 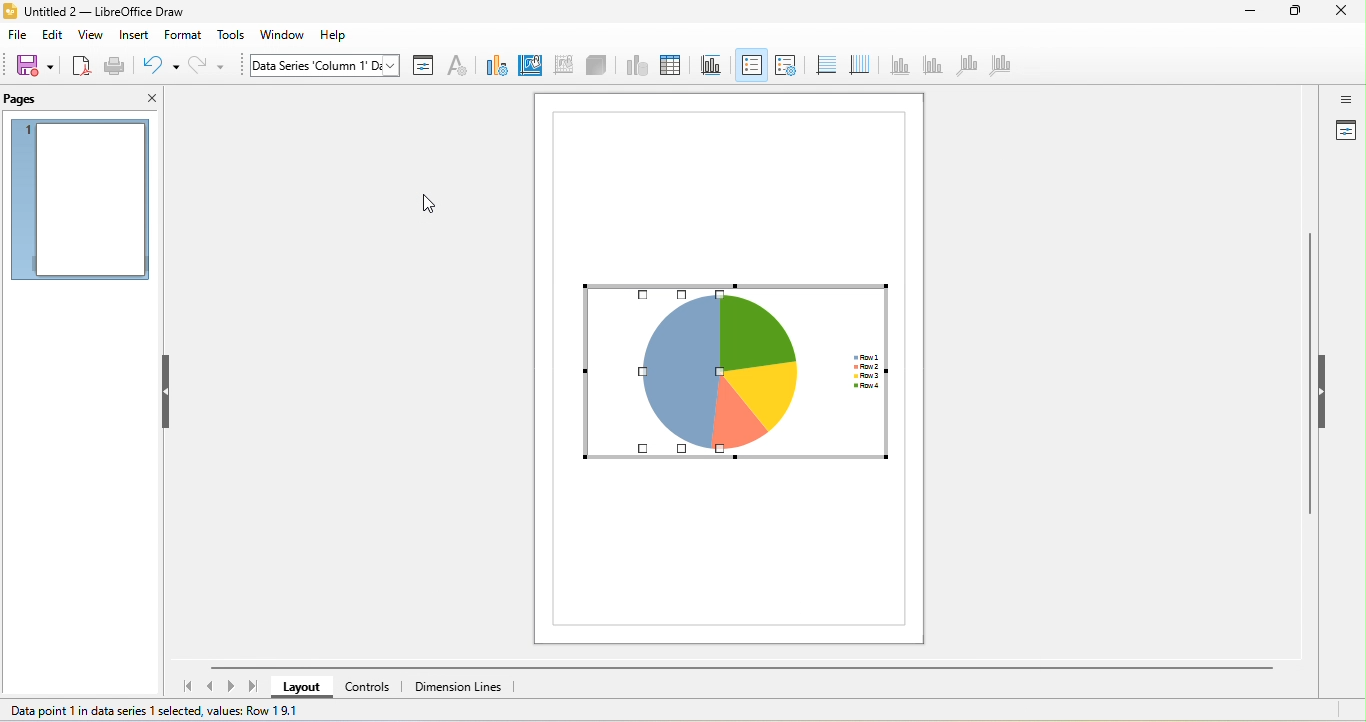 I want to click on previous, so click(x=213, y=684).